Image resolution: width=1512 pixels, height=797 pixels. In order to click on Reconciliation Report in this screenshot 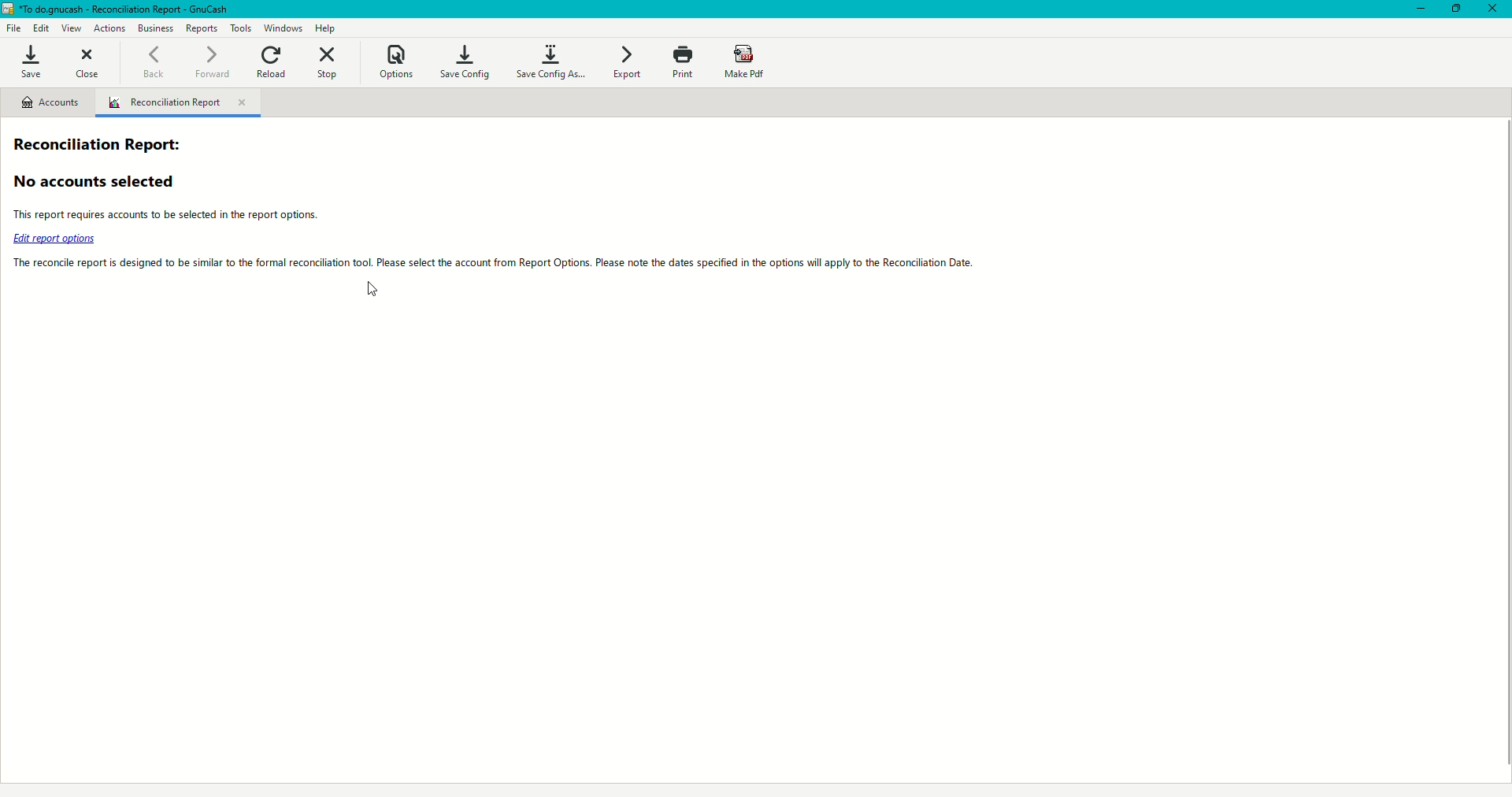, I will do `click(183, 103)`.